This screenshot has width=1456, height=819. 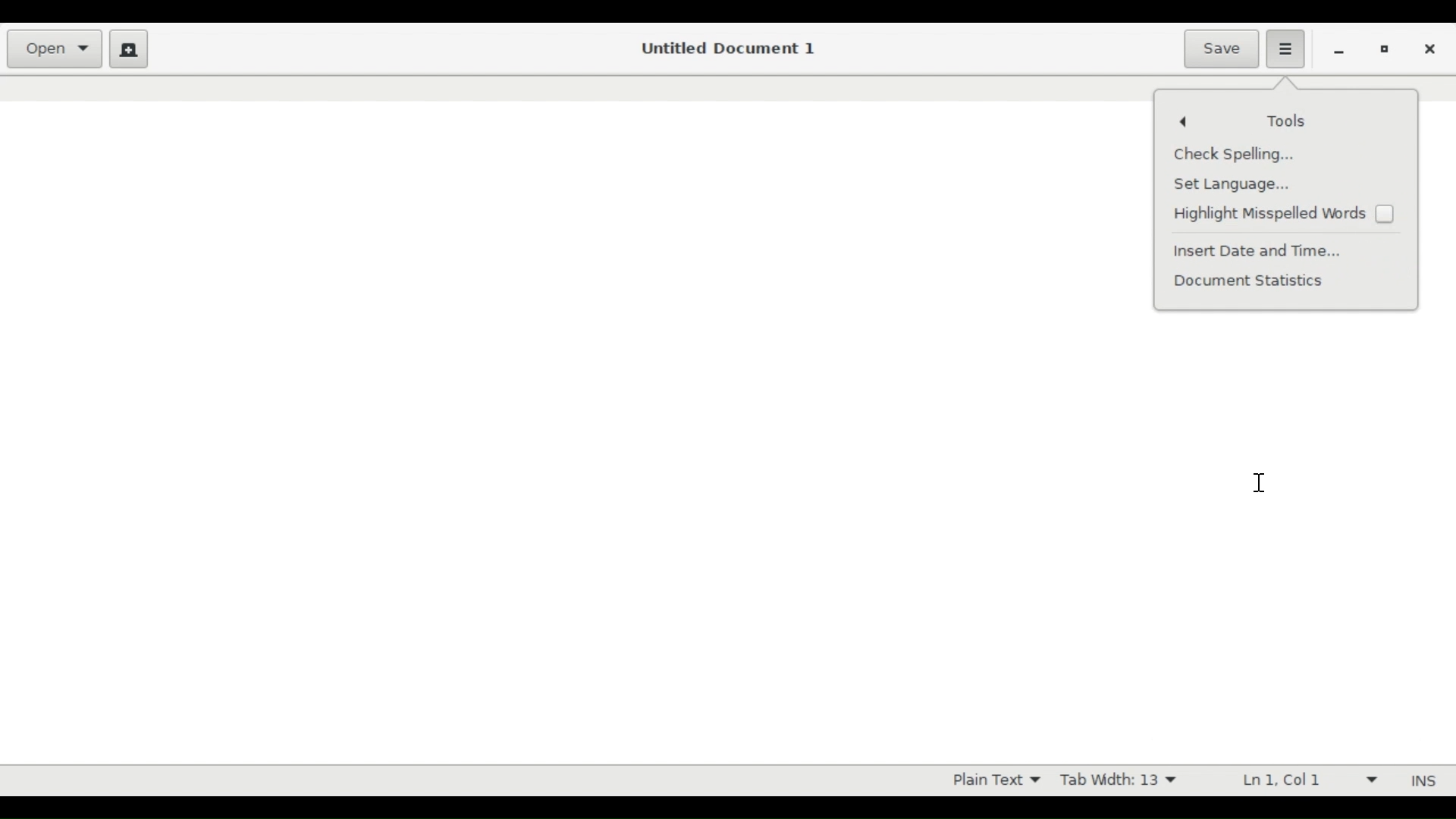 What do you see at coordinates (1336, 51) in the screenshot?
I see `minimize` at bounding box center [1336, 51].